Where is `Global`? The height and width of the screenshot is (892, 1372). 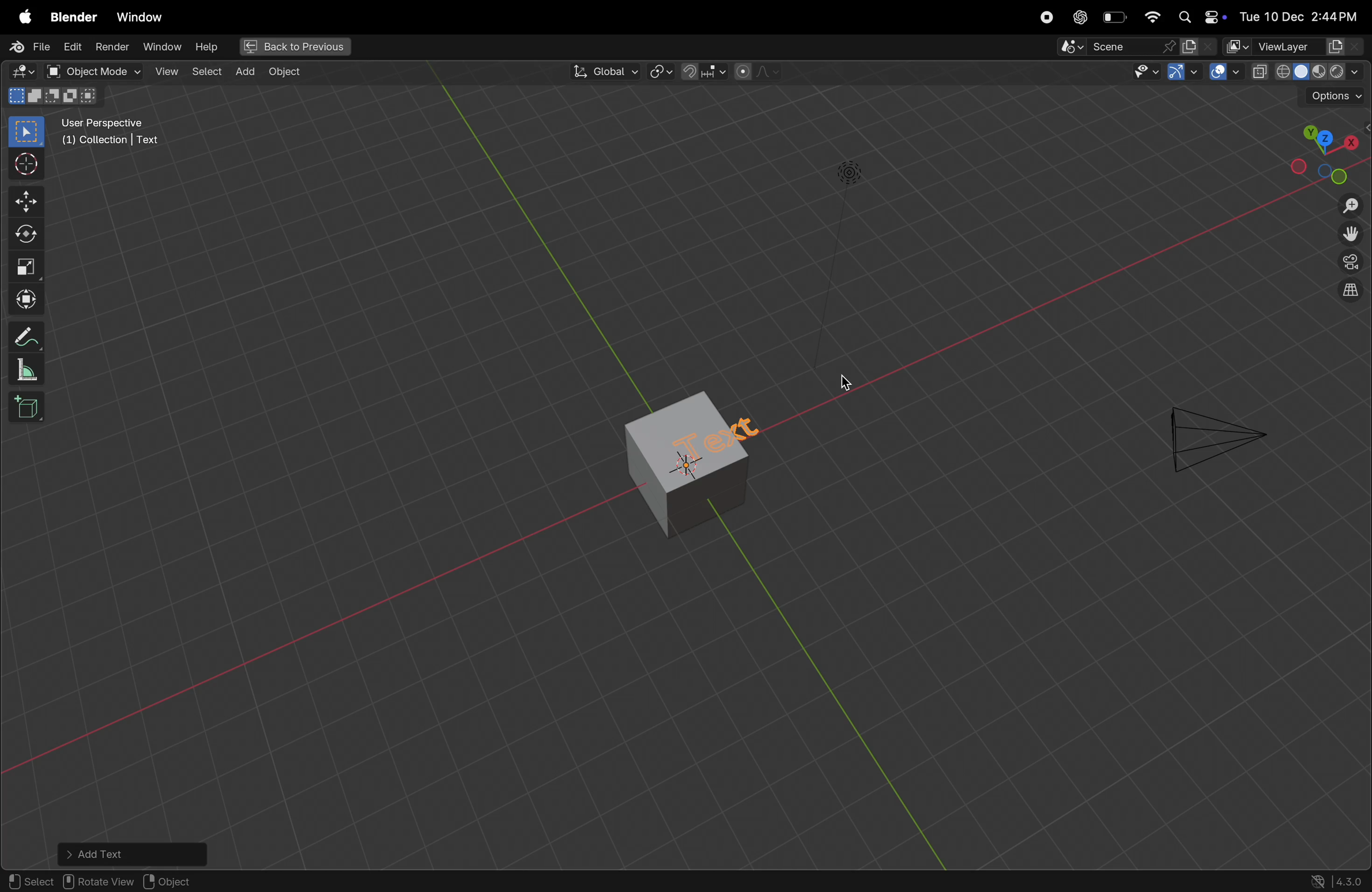 Global is located at coordinates (603, 72).